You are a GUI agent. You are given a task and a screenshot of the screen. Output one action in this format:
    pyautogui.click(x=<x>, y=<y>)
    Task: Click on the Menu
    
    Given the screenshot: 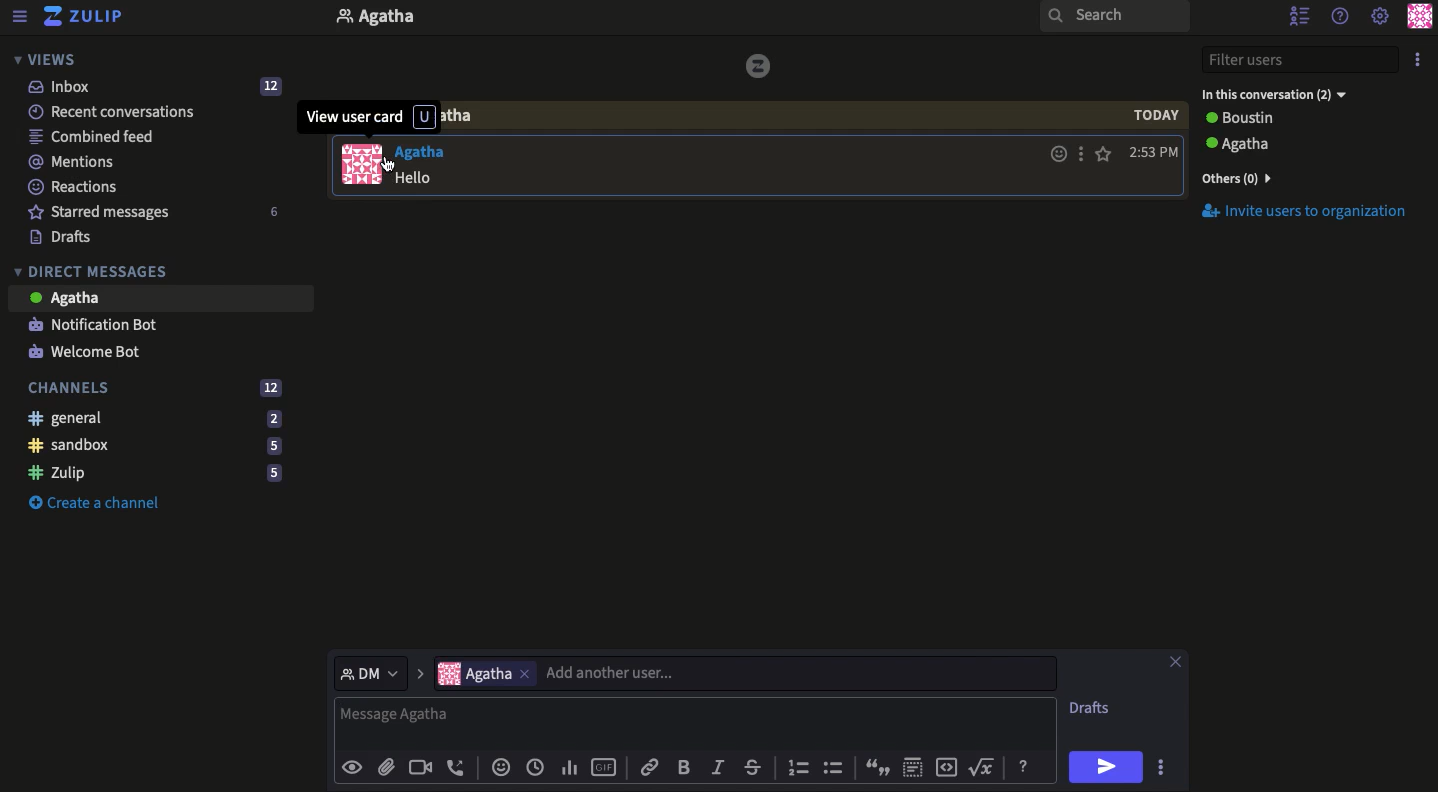 What is the action you would take?
    pyautogui.click(x=20, y=18)
    